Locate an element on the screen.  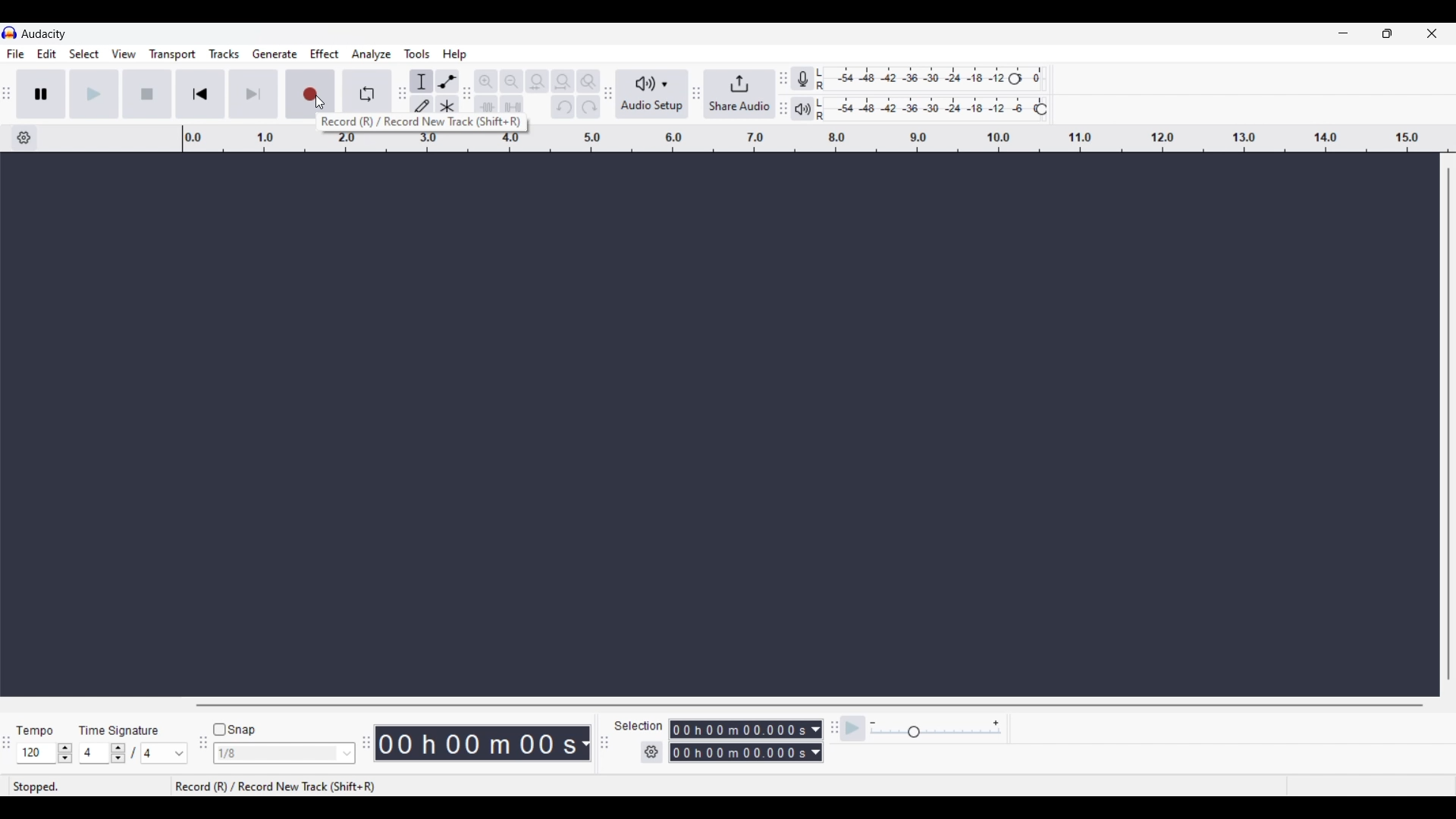
toolbar is located at coordinates (202, 747).